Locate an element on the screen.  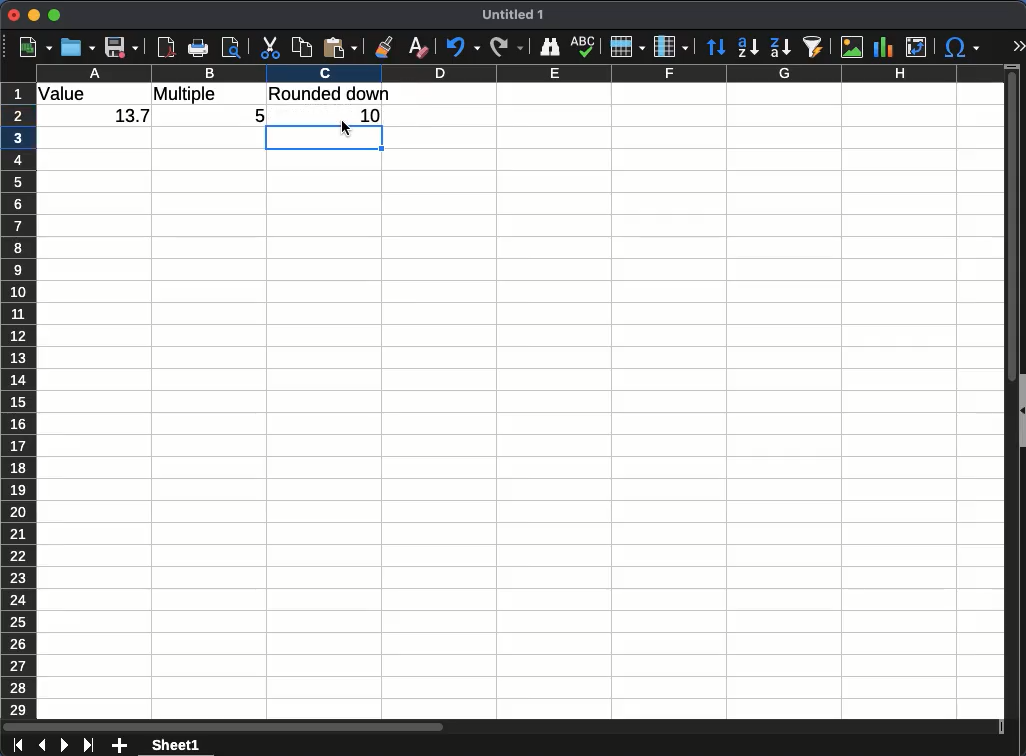
new is located at coordinates (35, 47).